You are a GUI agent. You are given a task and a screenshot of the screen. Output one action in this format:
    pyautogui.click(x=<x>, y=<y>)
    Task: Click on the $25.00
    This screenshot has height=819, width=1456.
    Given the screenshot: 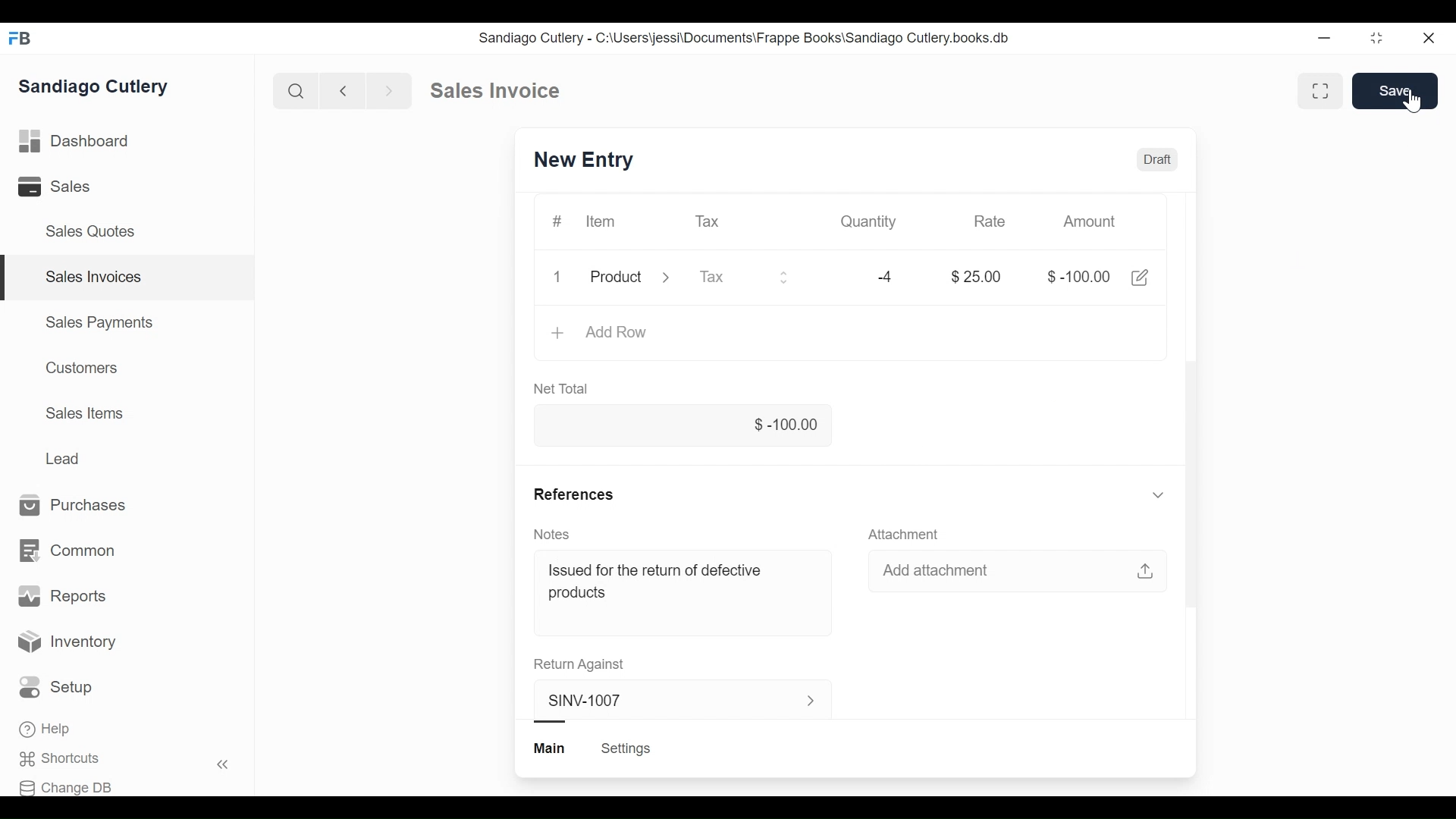 What is the action you would take?
    pyautogui.click(x=977, y=276)
    